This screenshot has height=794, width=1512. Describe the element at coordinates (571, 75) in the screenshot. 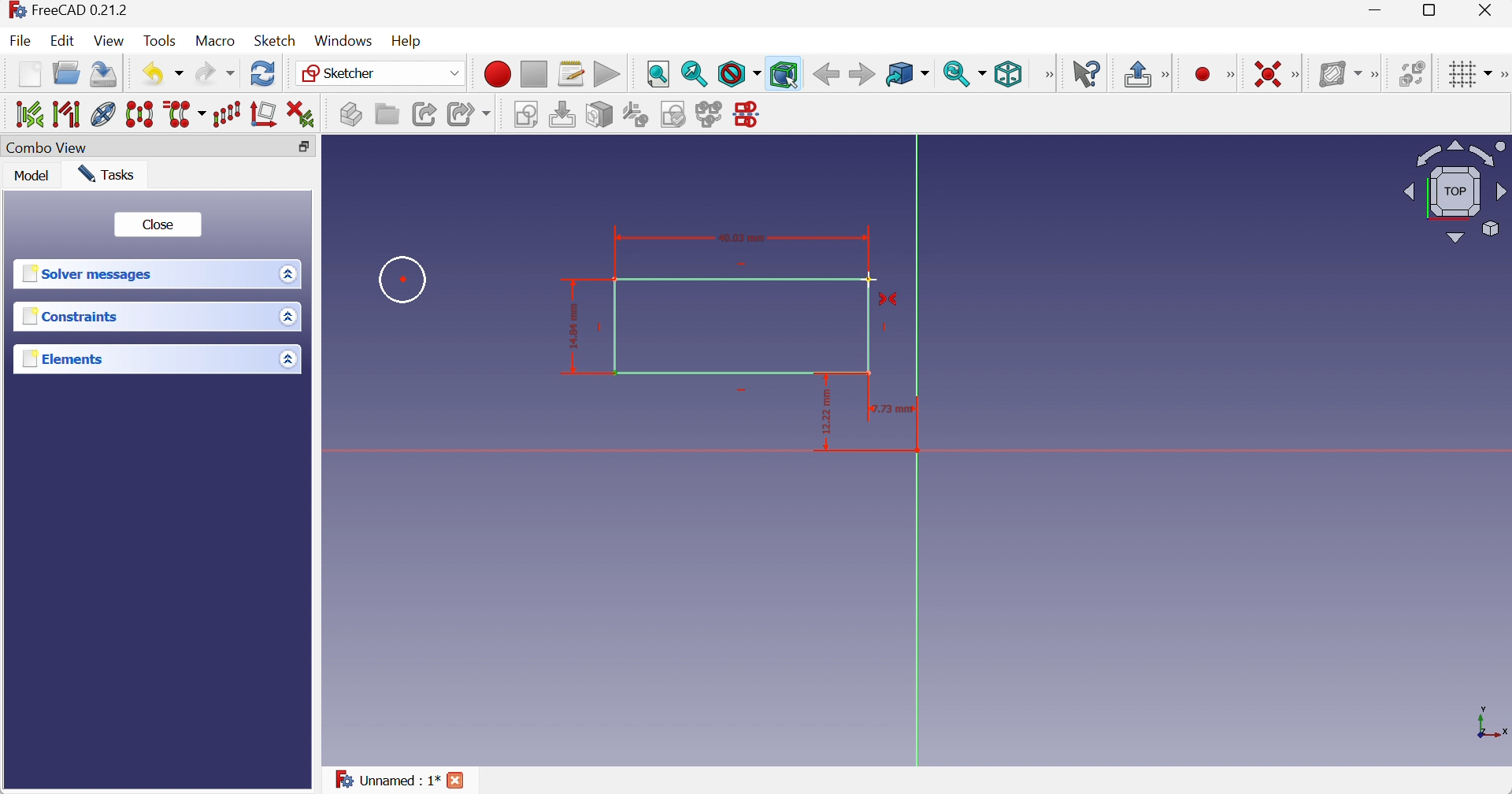

I see `Macros...` at that location.